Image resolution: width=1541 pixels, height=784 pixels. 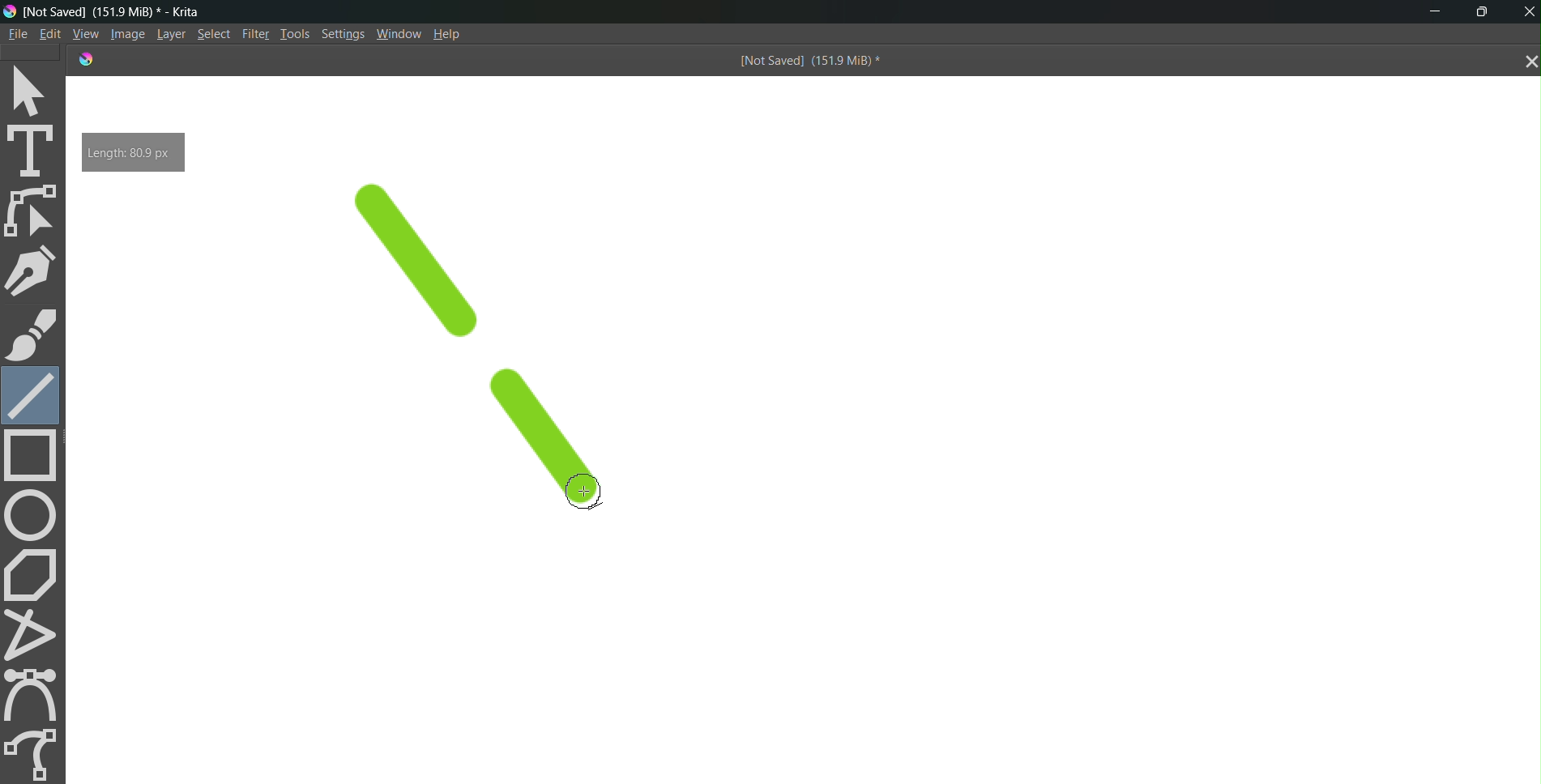 I want to click on [Not Saved] (151.9 MiB) *, so click(x=807, y=62).